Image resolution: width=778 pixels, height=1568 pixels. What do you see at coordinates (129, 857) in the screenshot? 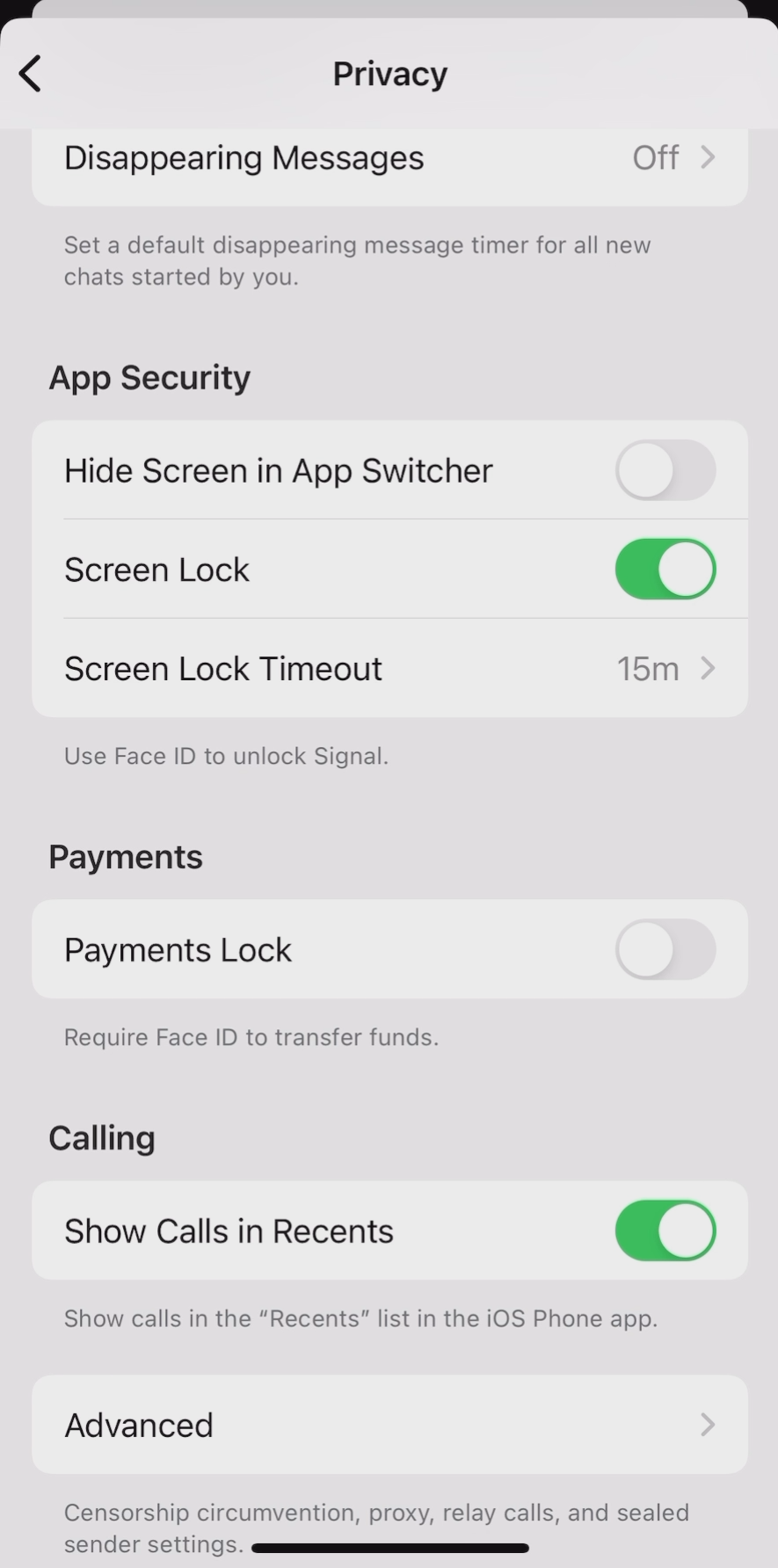
I see `Payments` at bounding box center [129, 857].